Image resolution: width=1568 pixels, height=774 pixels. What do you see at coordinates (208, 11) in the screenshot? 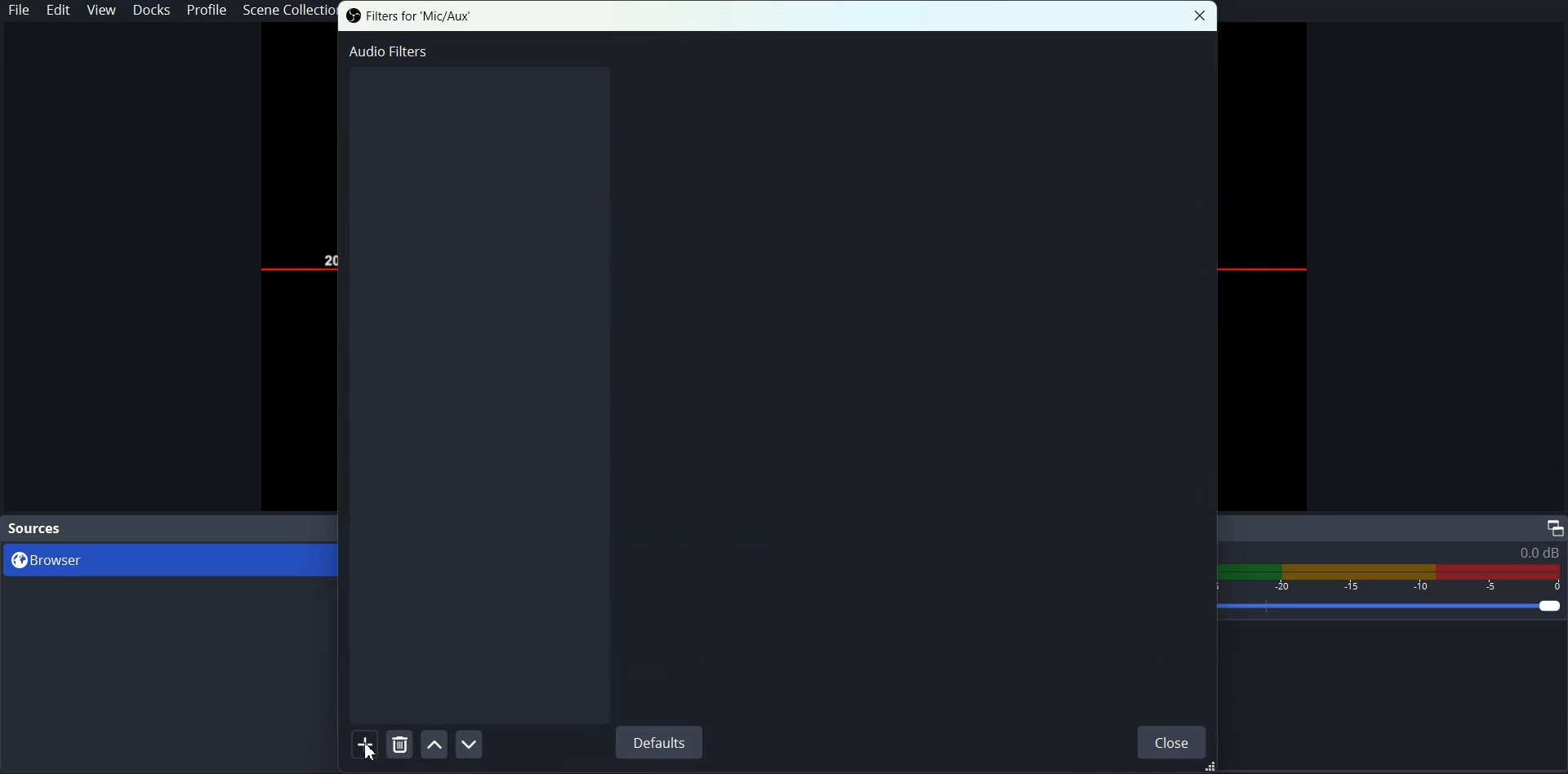
I see `Profile` at bounding box center [208, 11].